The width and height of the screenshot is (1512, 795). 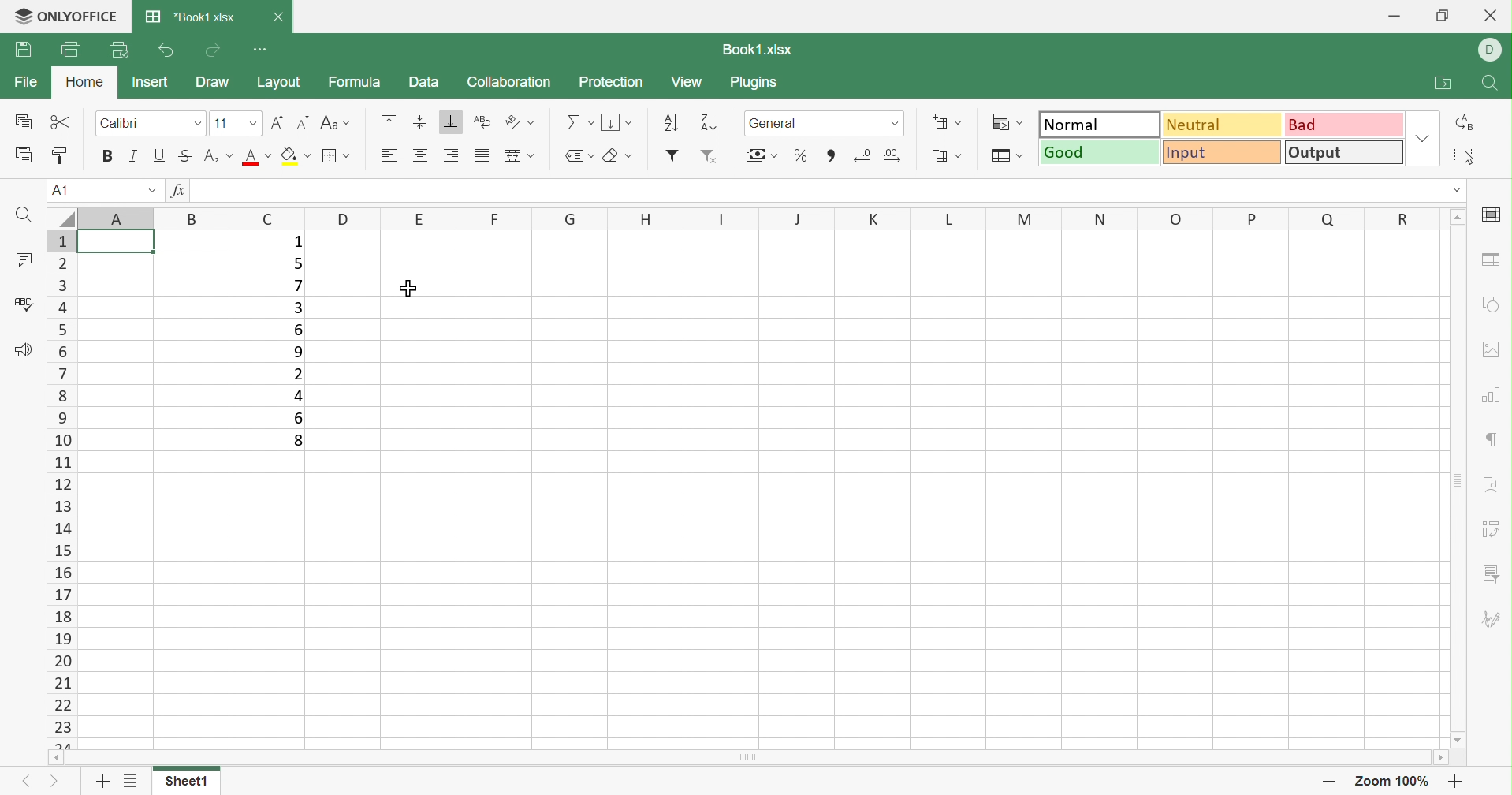 What do you see at coordinates (1494, 396) in the screenshot?
I see `chart settings` at bounding box center [1494, 396].